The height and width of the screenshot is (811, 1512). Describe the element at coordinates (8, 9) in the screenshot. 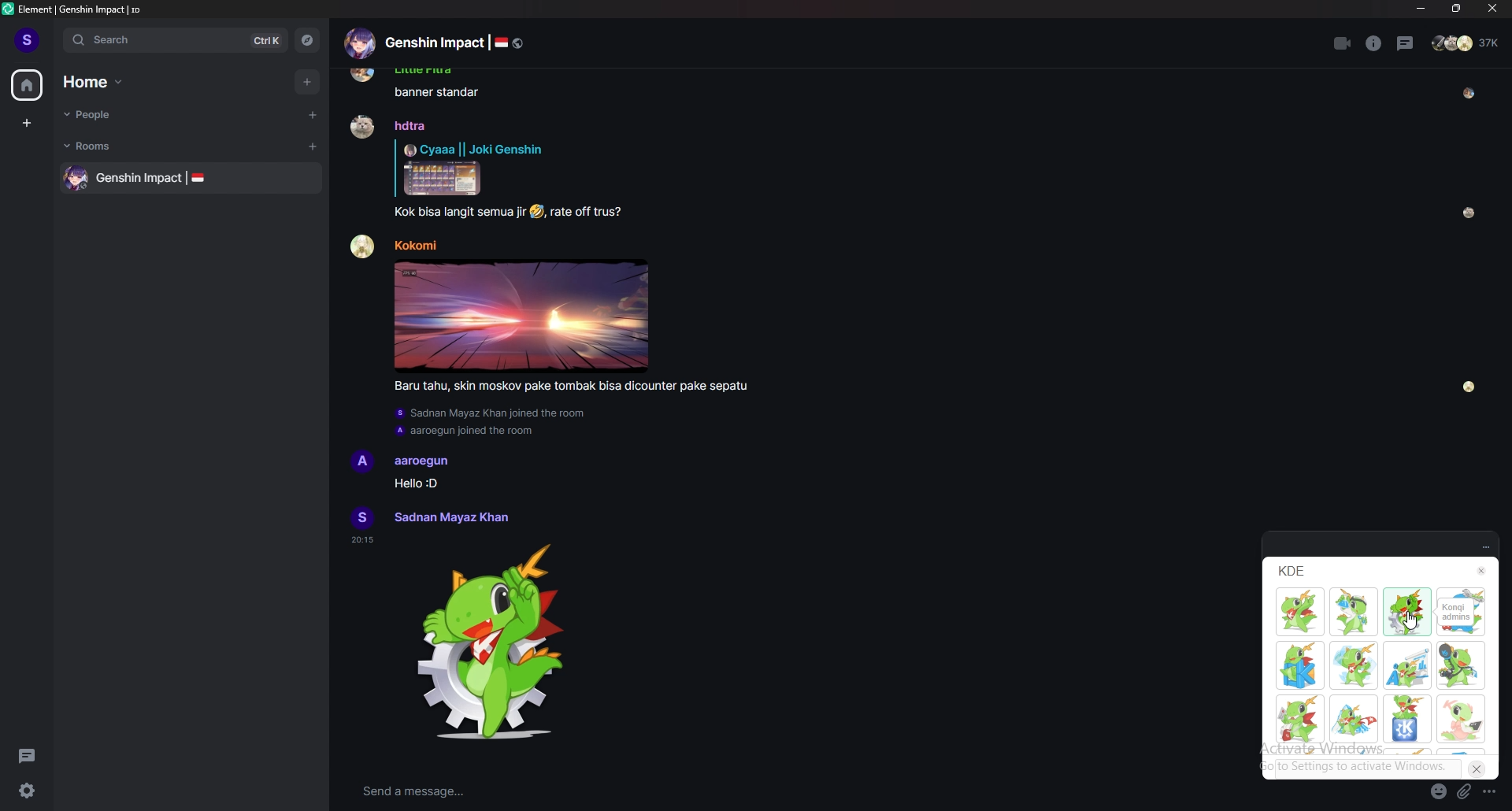

I see `Software logo` at that location.